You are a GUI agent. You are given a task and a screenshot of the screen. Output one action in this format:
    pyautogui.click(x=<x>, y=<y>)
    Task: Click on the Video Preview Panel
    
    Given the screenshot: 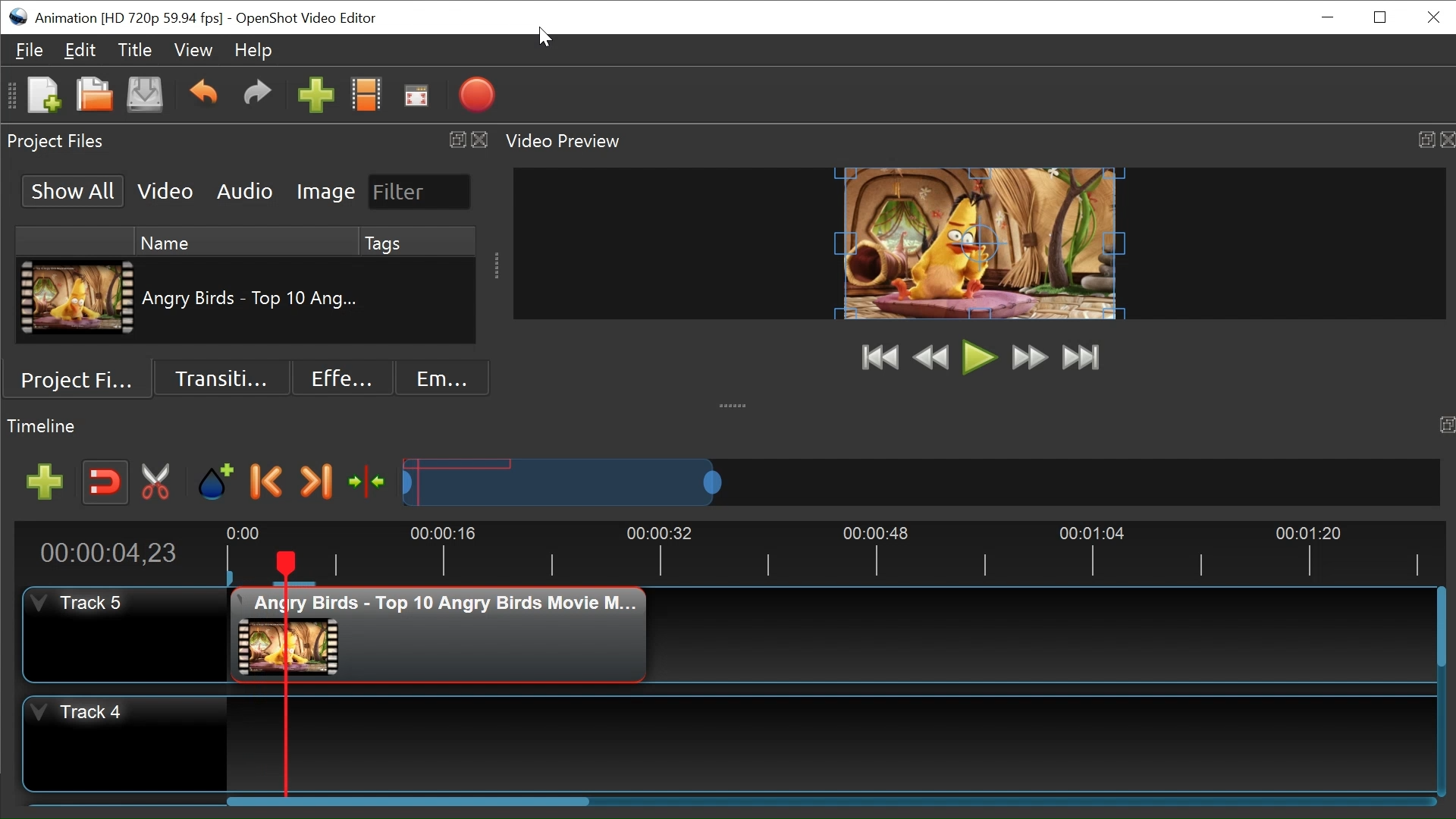 What is the action you would take?
    pyautogui.click(x=977, y=141)
    